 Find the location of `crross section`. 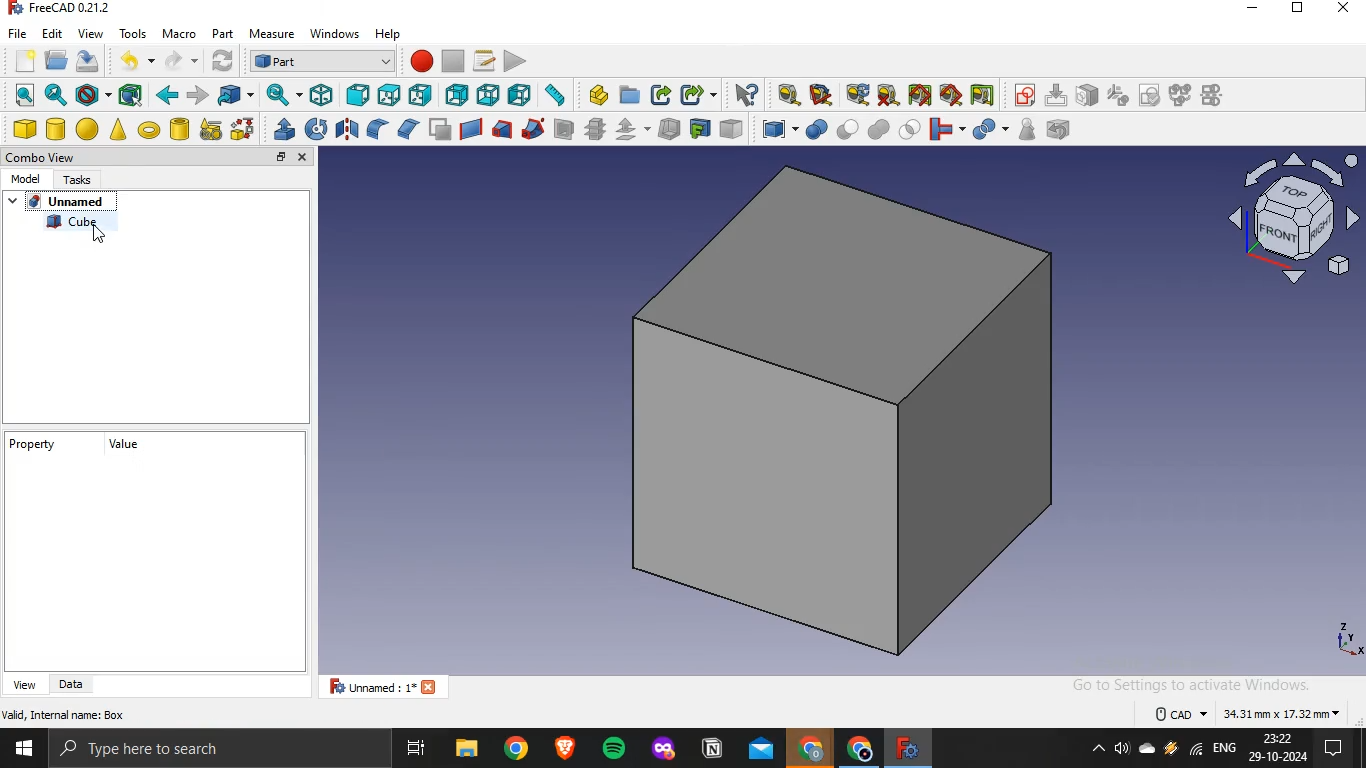

crross section is located at coordinates (595, 128).